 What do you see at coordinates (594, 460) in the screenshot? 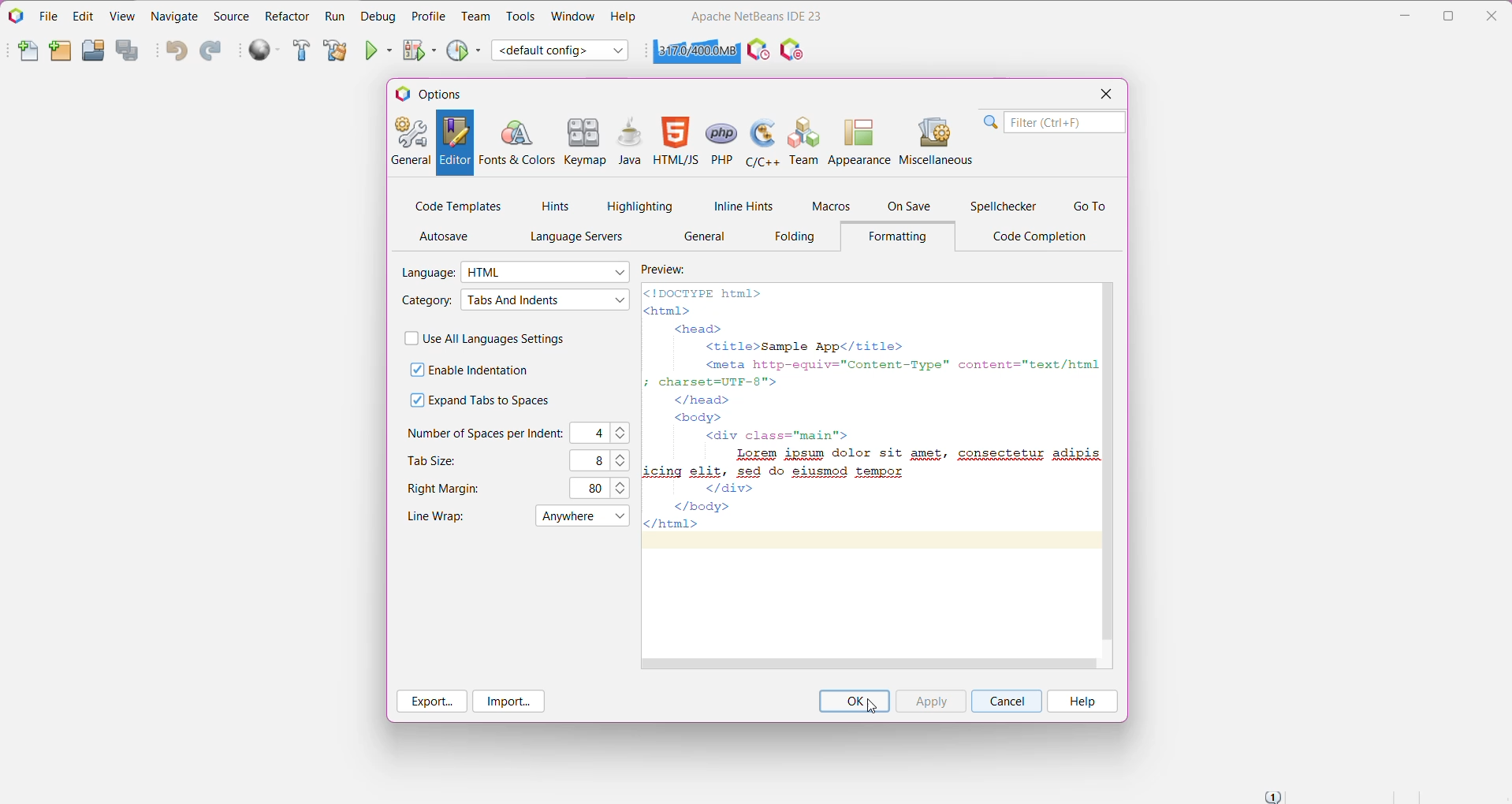
I see `8` at bounding box center [594, 460].